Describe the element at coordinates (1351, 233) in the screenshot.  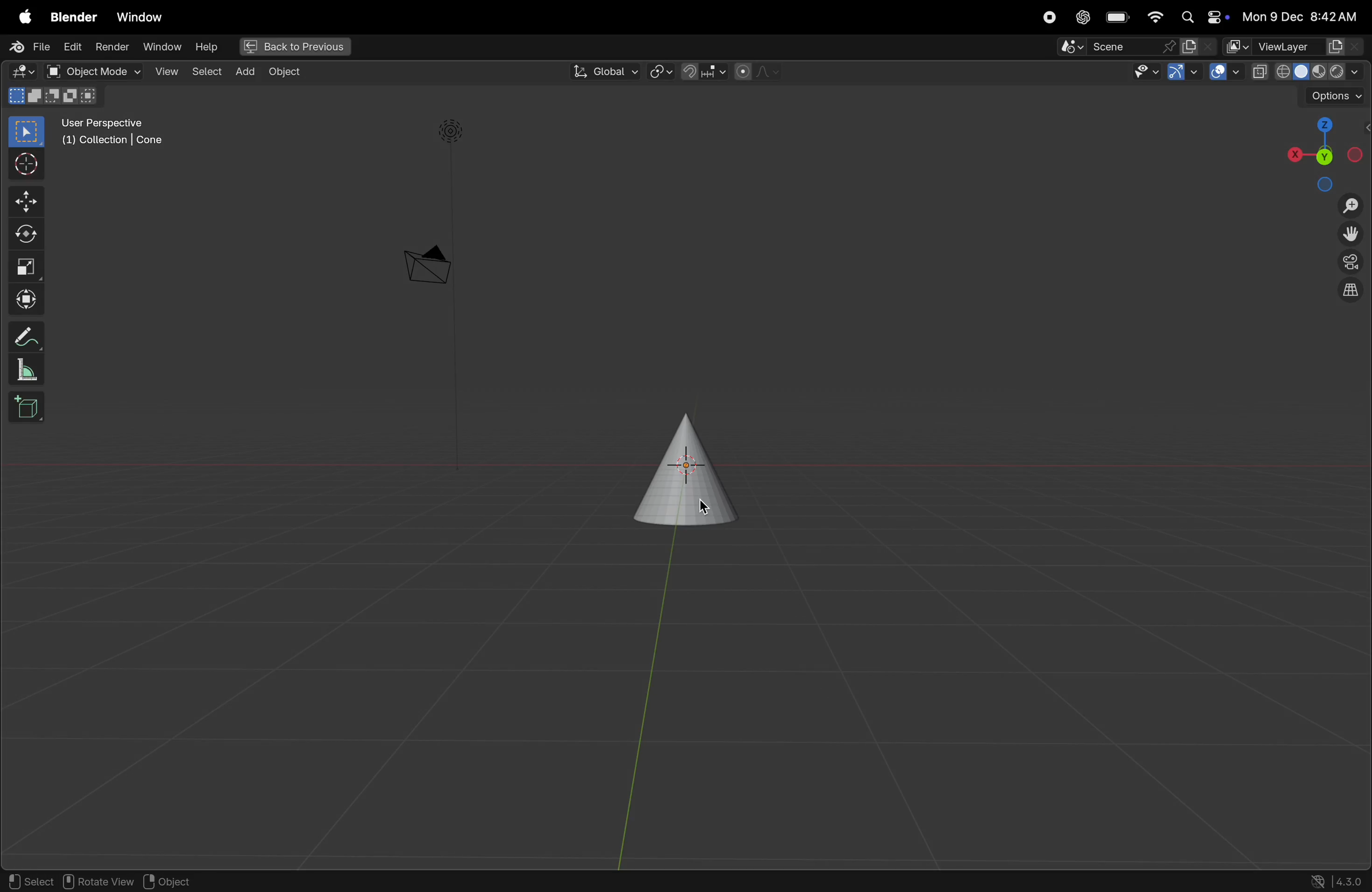
I see `move the view` at that location.